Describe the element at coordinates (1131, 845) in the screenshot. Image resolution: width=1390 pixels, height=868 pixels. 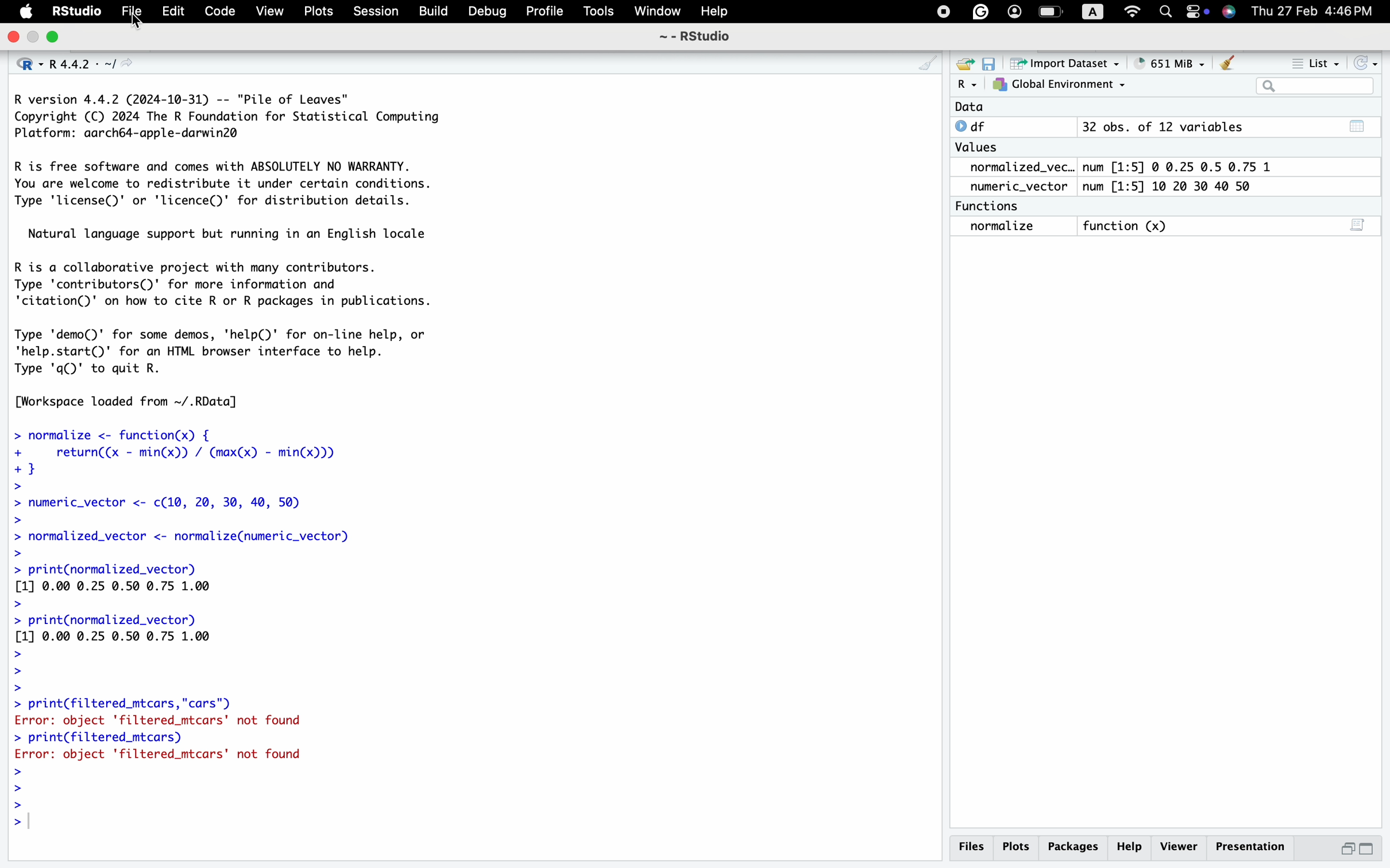
I see `Help` at that location.